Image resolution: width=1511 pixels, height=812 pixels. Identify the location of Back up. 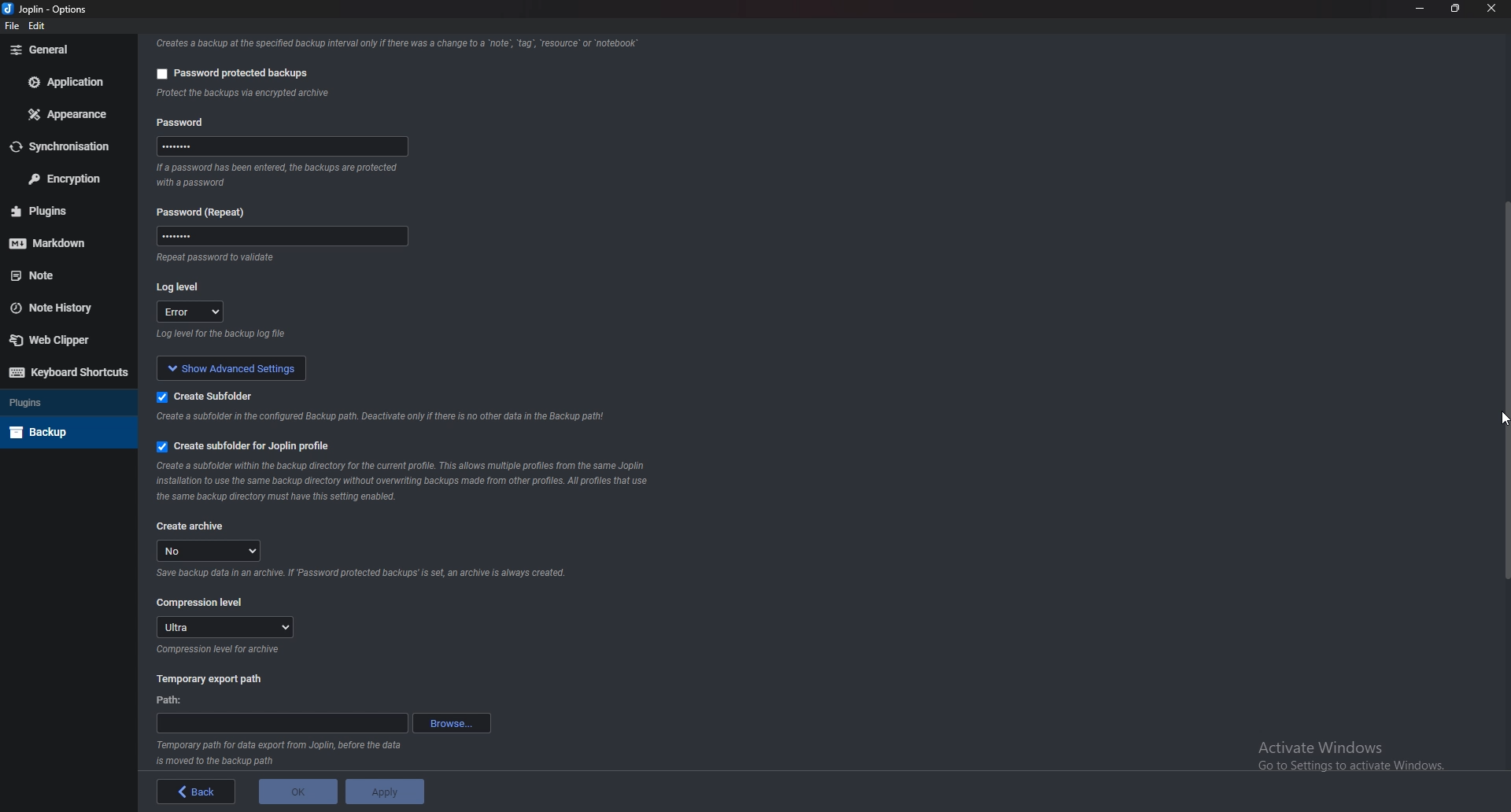
(65, 430).